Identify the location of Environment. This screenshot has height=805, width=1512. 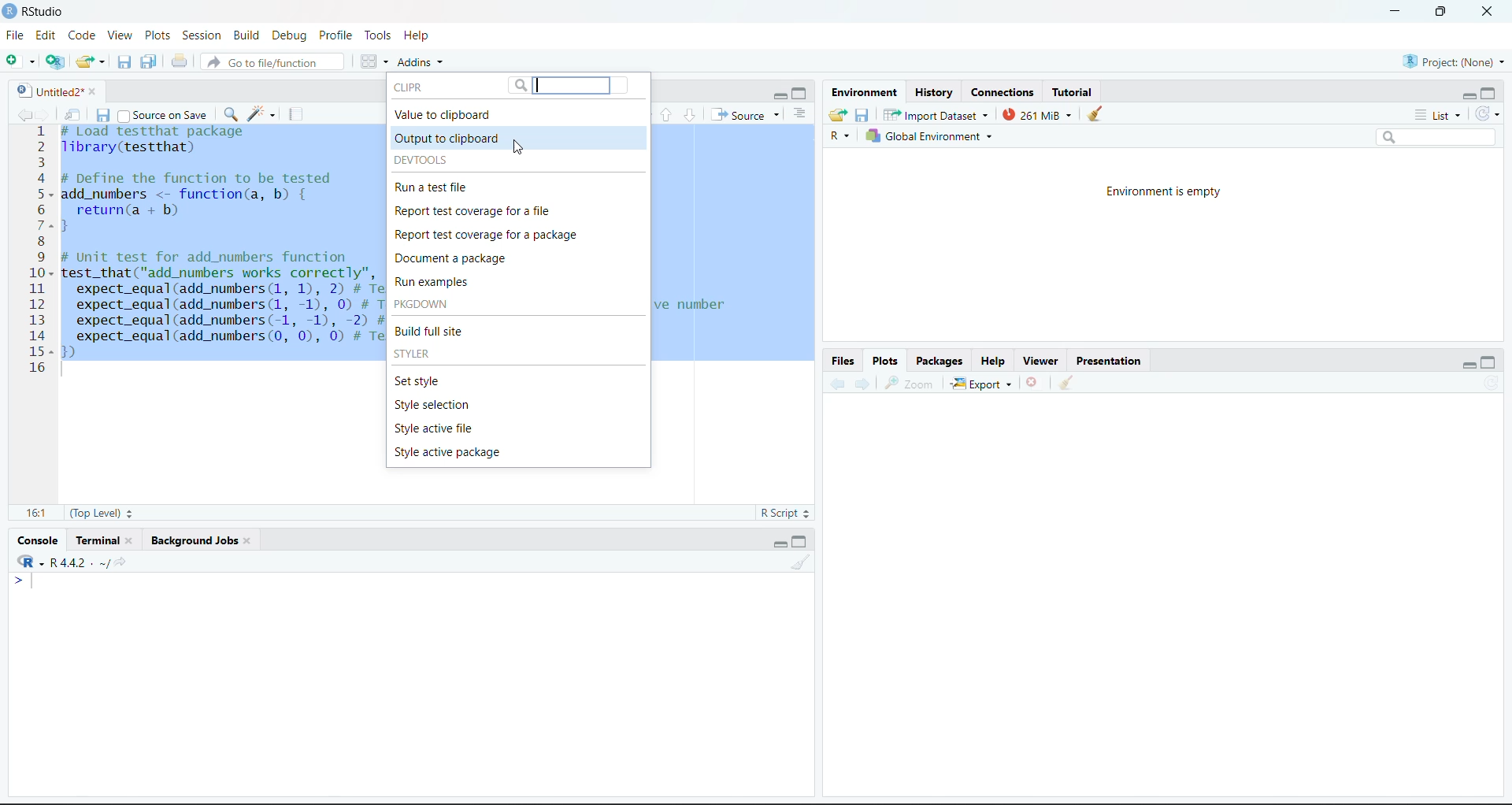
(865, 92).